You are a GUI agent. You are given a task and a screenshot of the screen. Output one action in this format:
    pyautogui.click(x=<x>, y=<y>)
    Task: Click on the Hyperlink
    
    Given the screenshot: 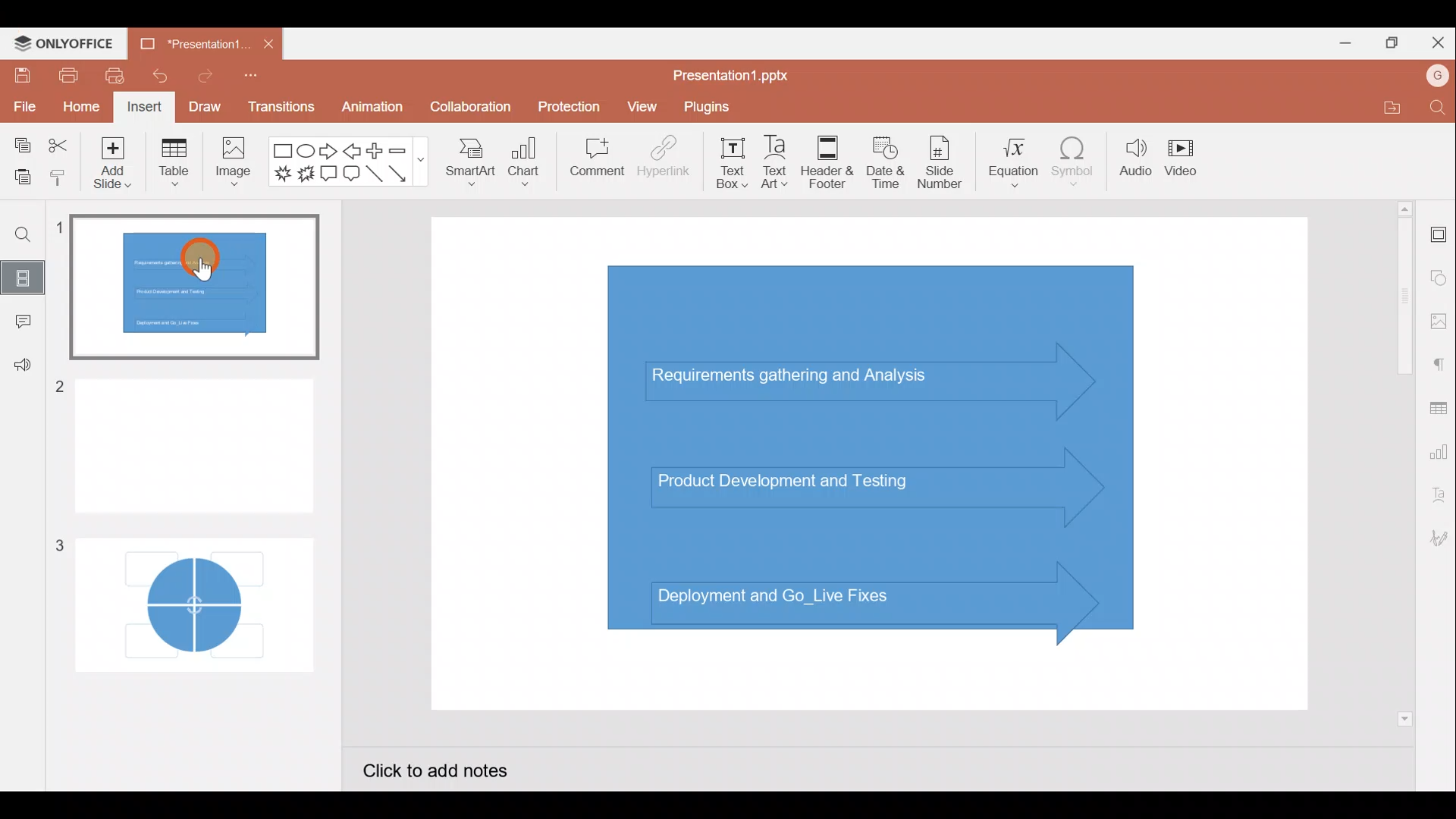 What is the action you would take?
    pyautogui.click(x=664, y=162)
    